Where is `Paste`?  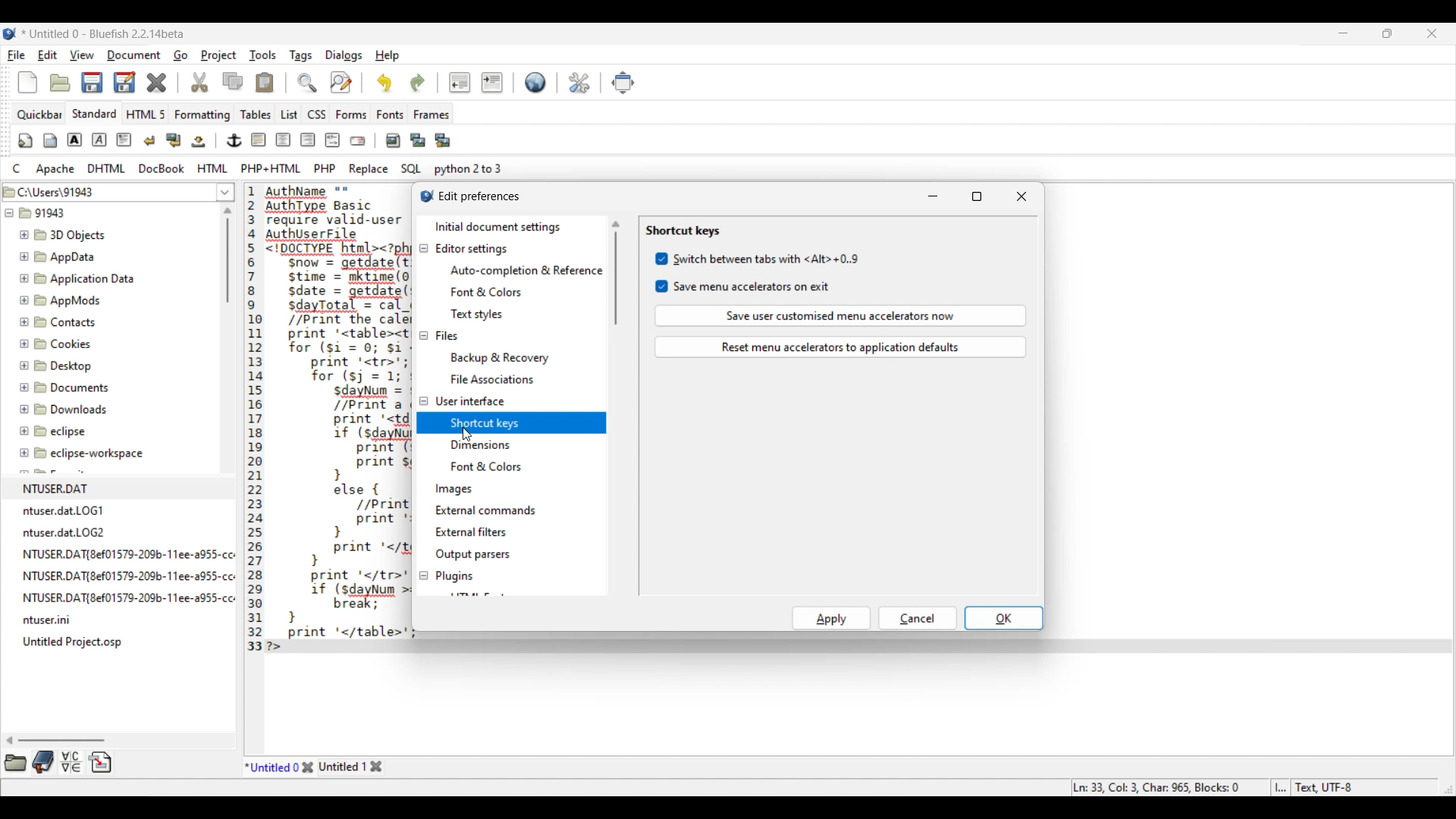
Paste is located at coordinates (265, 83).